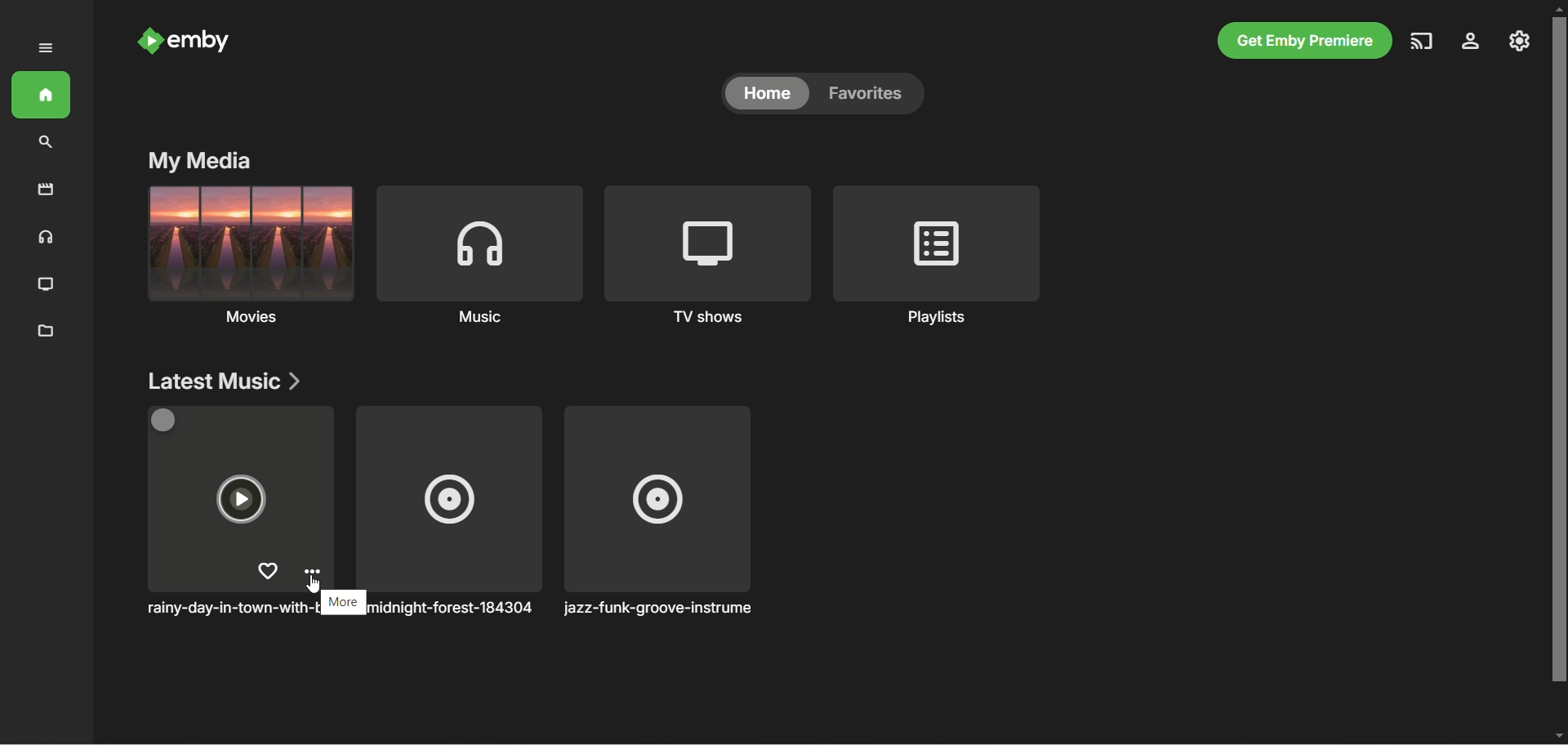 This screenshot has width=1568, height=745. What do you see at coordinates (266, 571) in the screenshot?
I see `Add to favorite` at bounding box center [266, 571].